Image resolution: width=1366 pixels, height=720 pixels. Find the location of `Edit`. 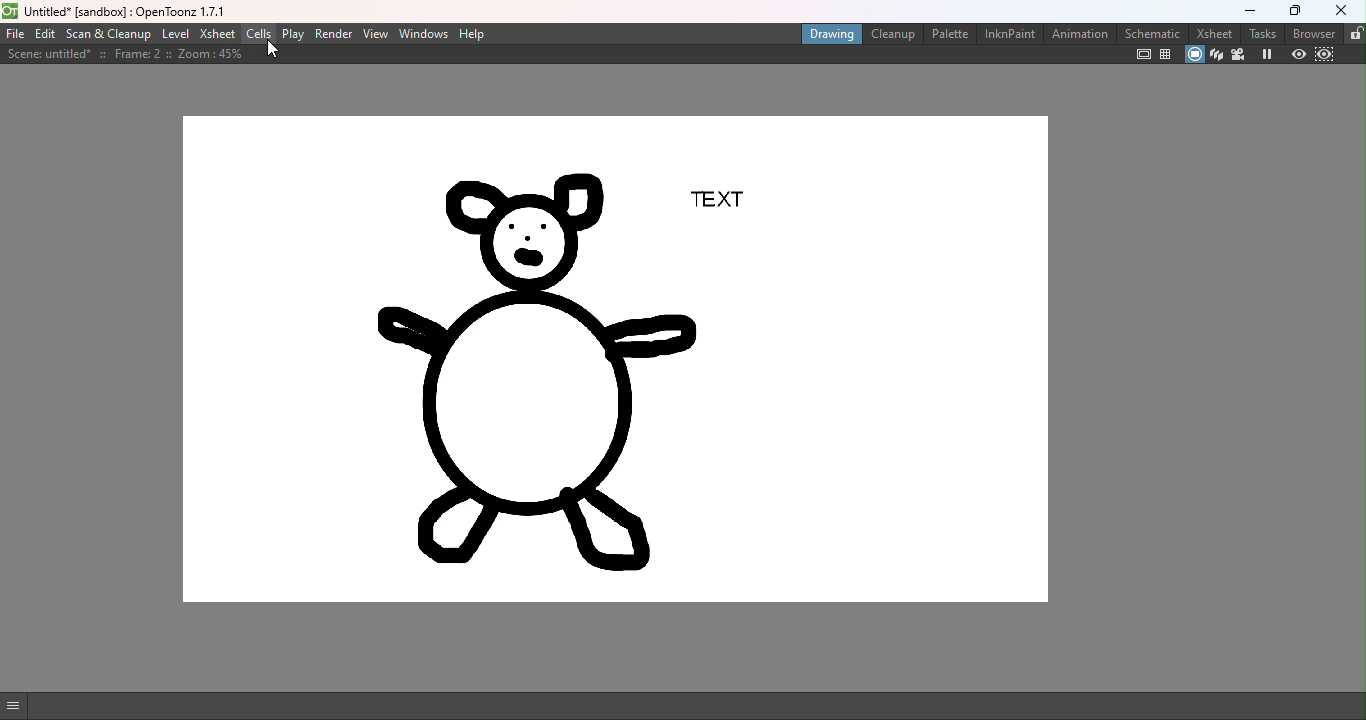

Edit is located at coordinates (45, 35).